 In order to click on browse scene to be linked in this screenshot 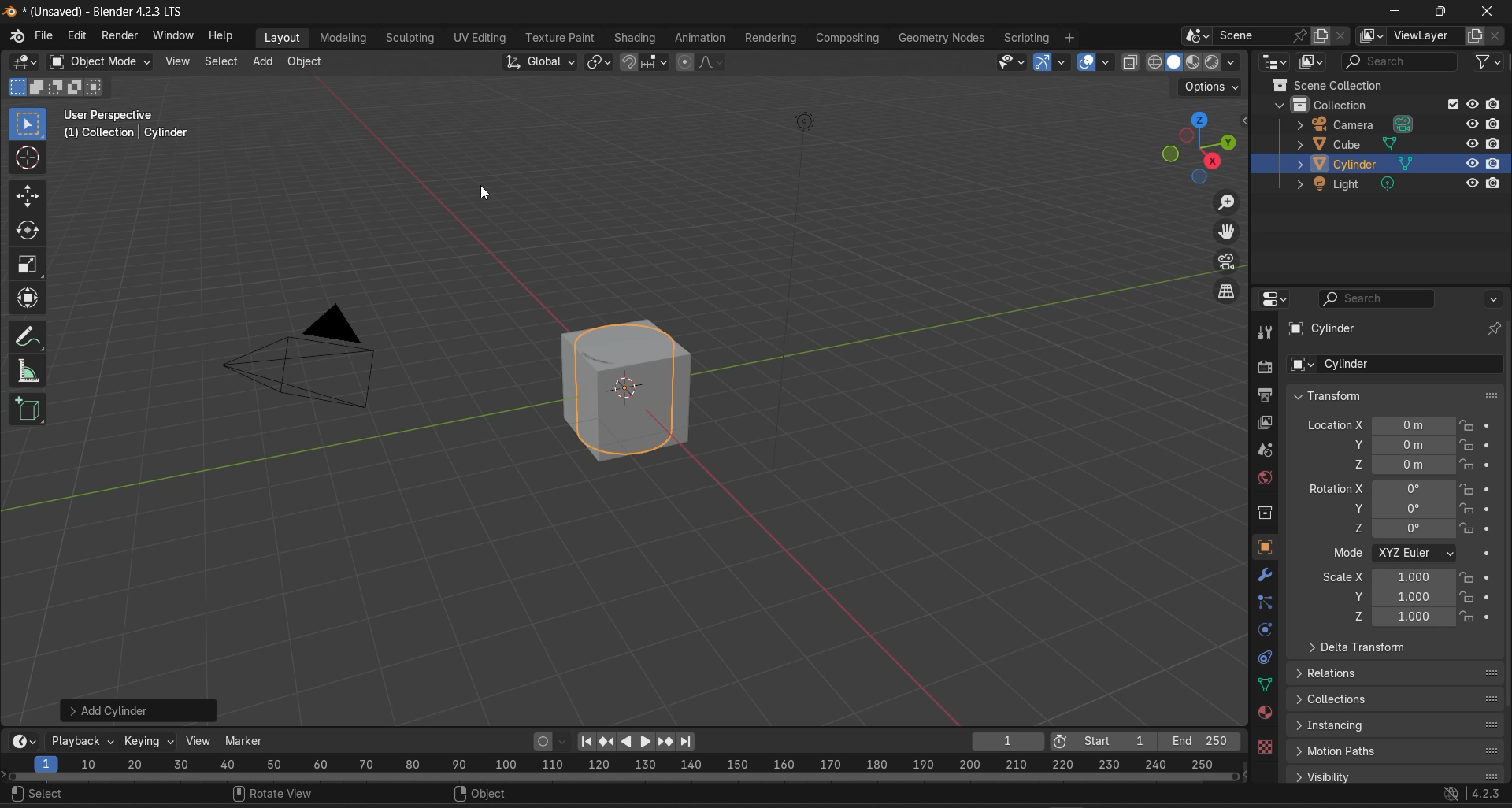, I will do `click(1196, 35)`.